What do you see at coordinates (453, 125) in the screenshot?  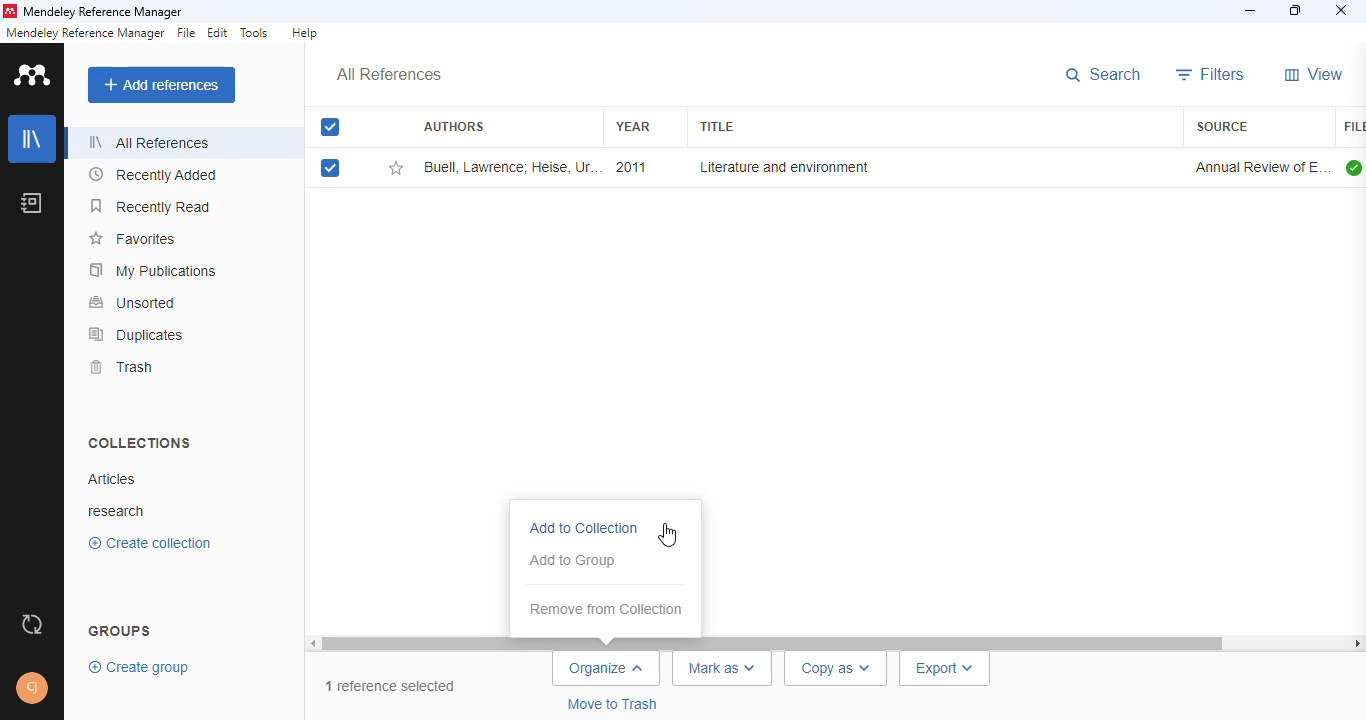 I see `authors` at bounding box center [453, 125].